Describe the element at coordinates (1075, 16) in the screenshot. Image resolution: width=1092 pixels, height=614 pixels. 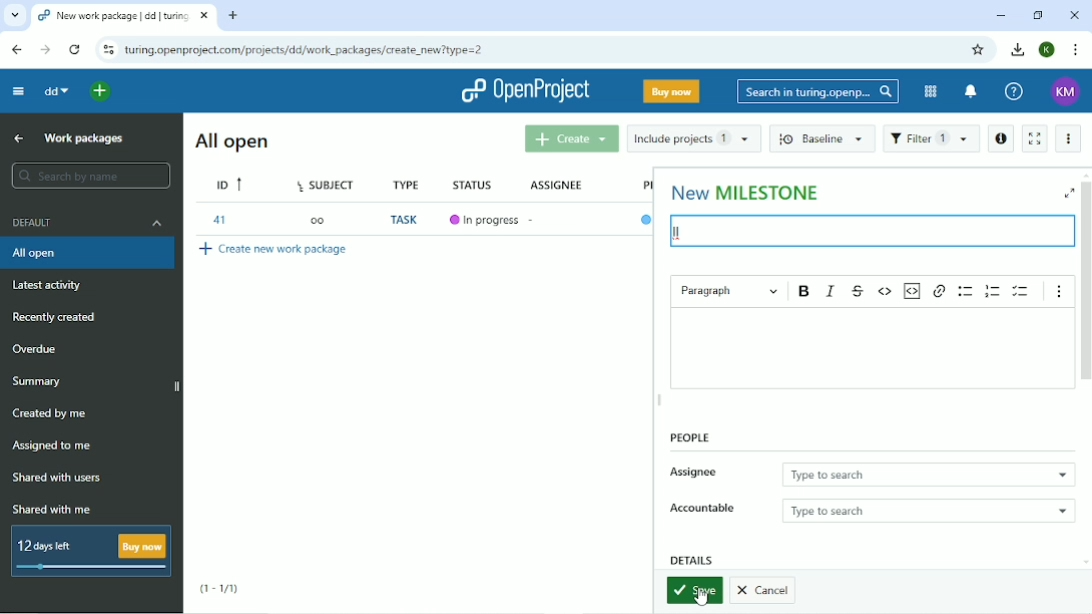
I see `Close` at that location.